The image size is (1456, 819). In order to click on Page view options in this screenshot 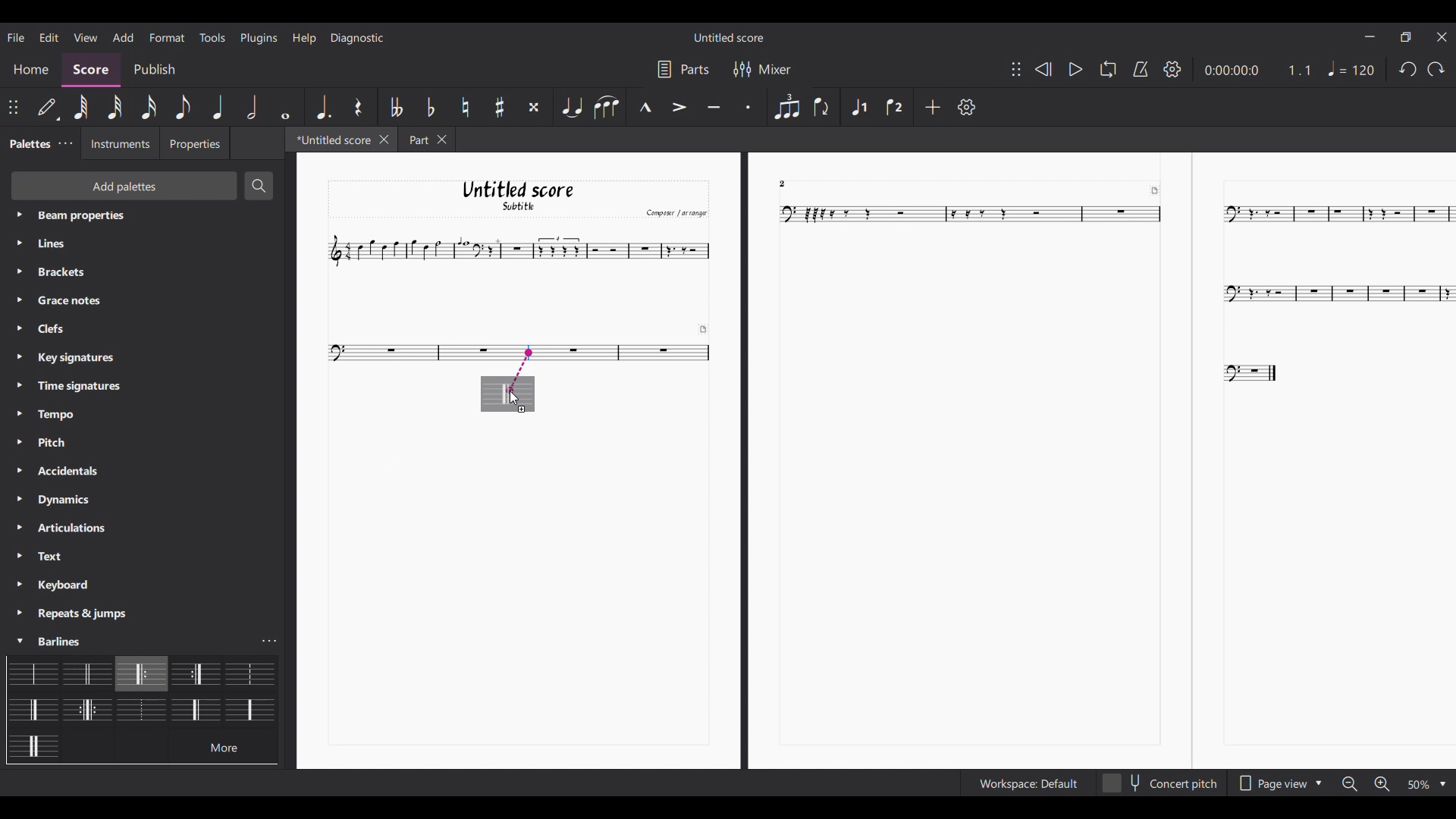, I will do `click(1278, 783)`.